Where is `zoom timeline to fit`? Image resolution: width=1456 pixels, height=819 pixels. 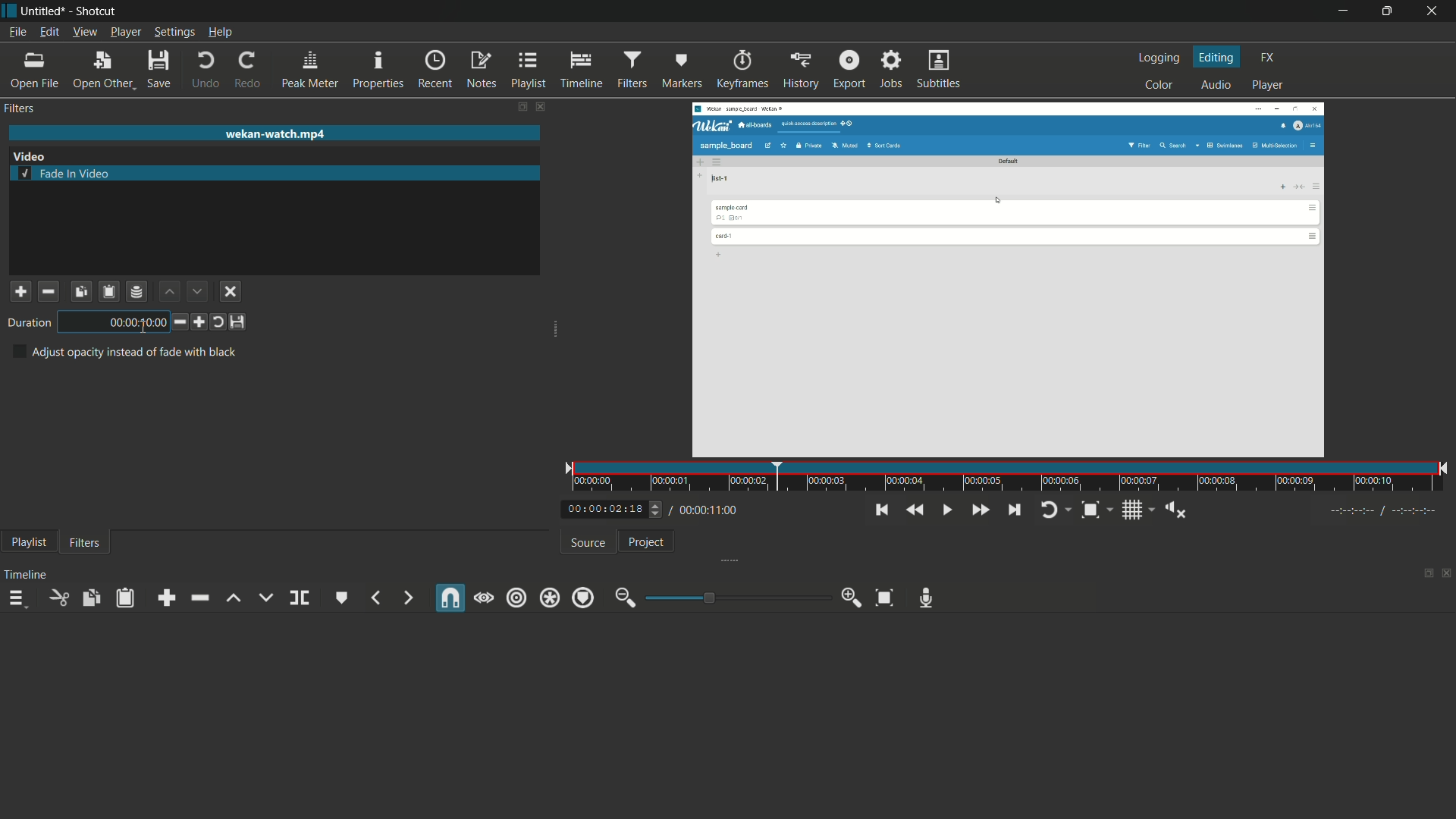
zoom timeline to fit is located at coordinates (885, 597).